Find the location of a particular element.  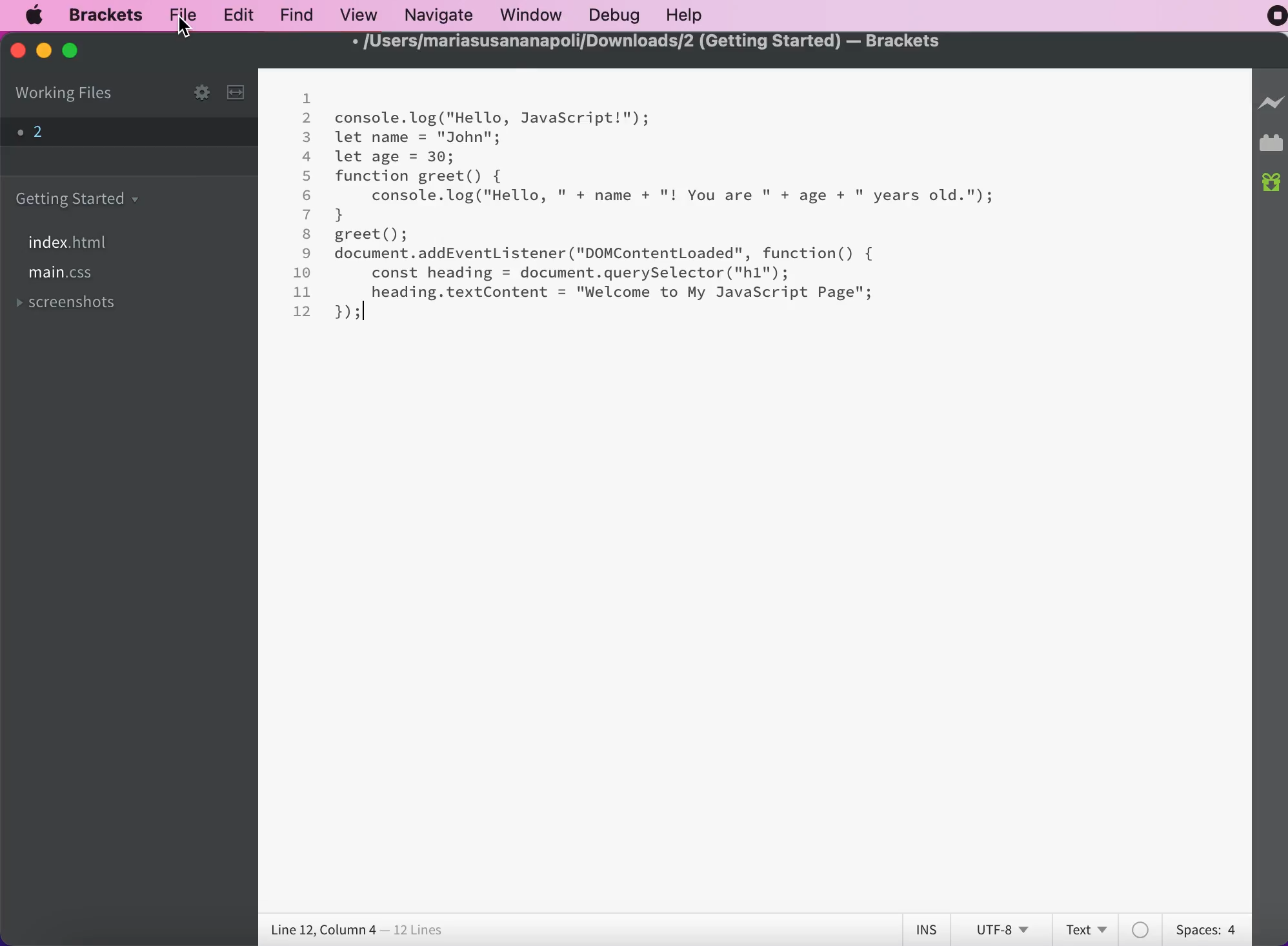

main.css is located at coordinates (64, 276).